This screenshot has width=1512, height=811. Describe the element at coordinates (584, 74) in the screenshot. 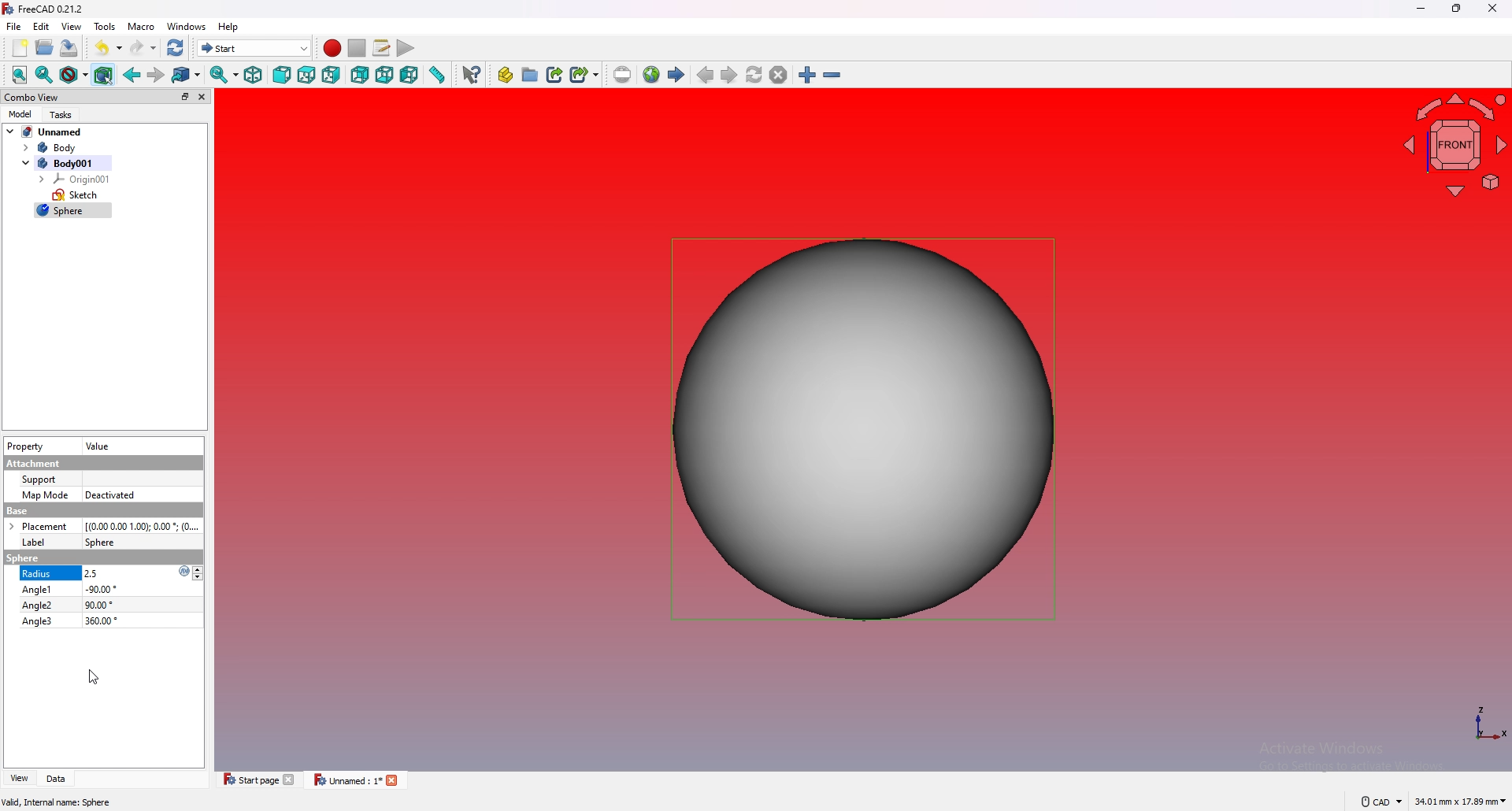

I see `create sublink` at that location.